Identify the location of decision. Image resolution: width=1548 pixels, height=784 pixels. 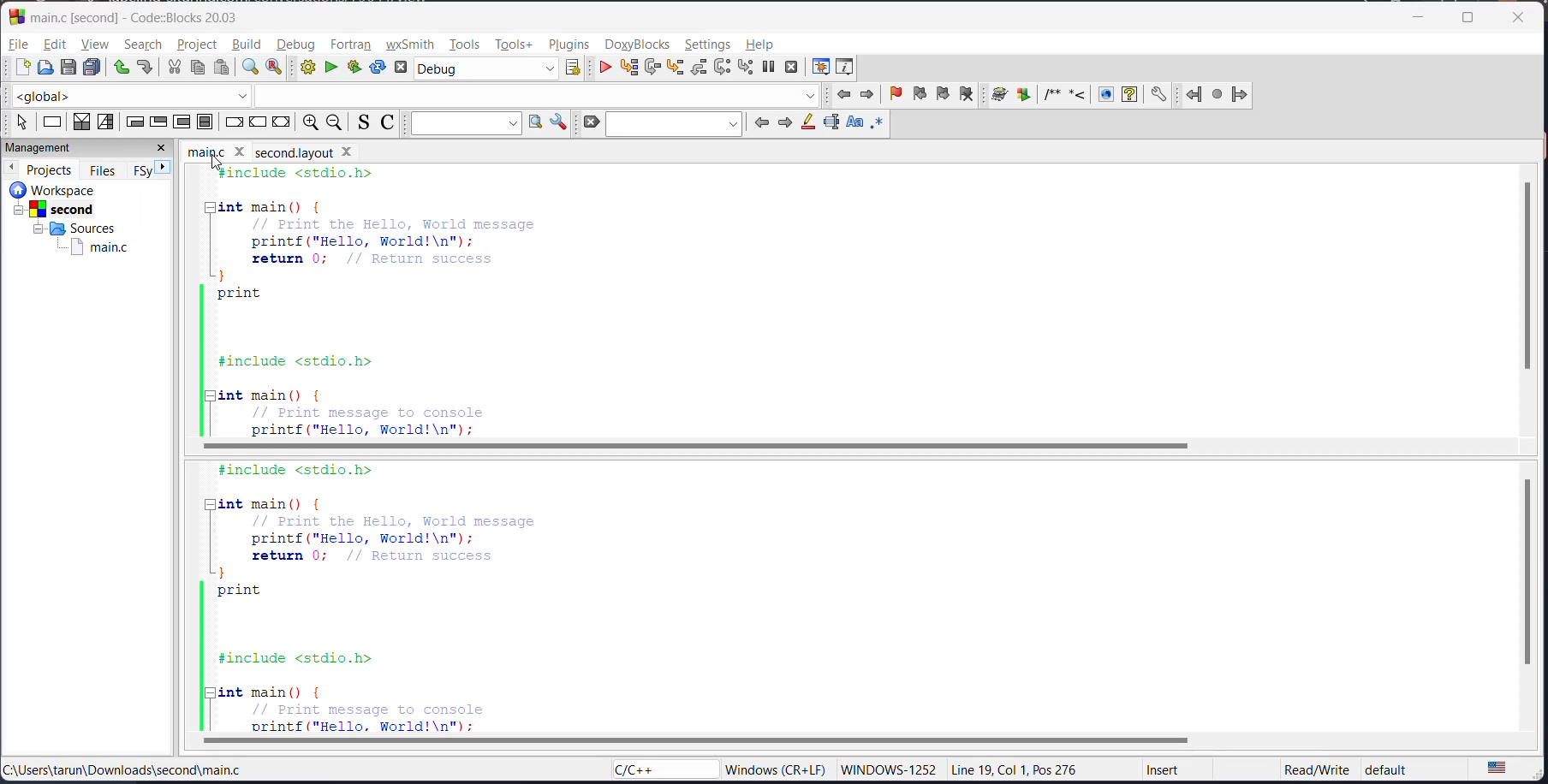
(80, 122).